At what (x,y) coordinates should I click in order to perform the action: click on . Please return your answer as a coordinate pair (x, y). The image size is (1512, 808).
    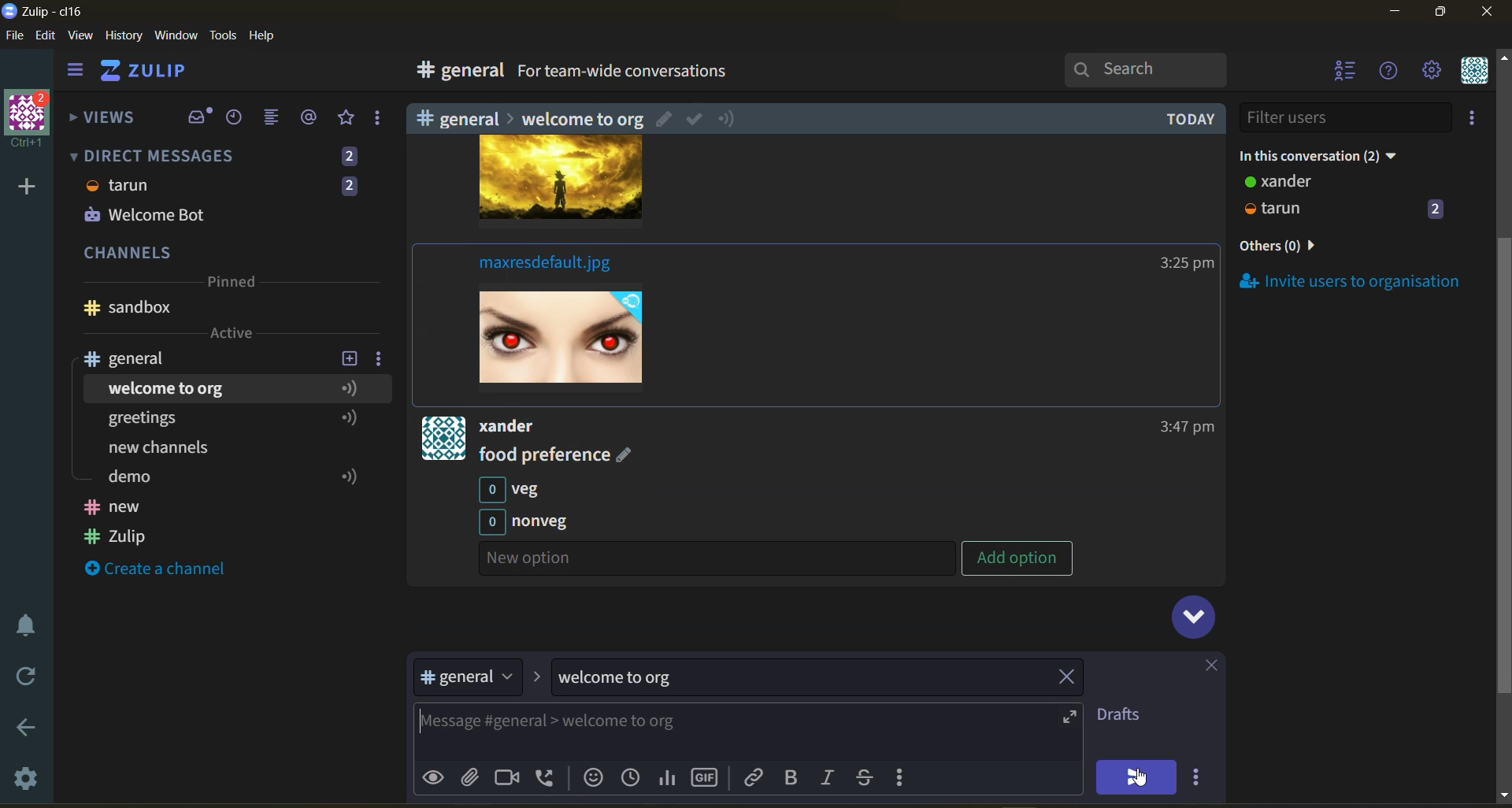
    Looking at the image, I should click on (713, 560).